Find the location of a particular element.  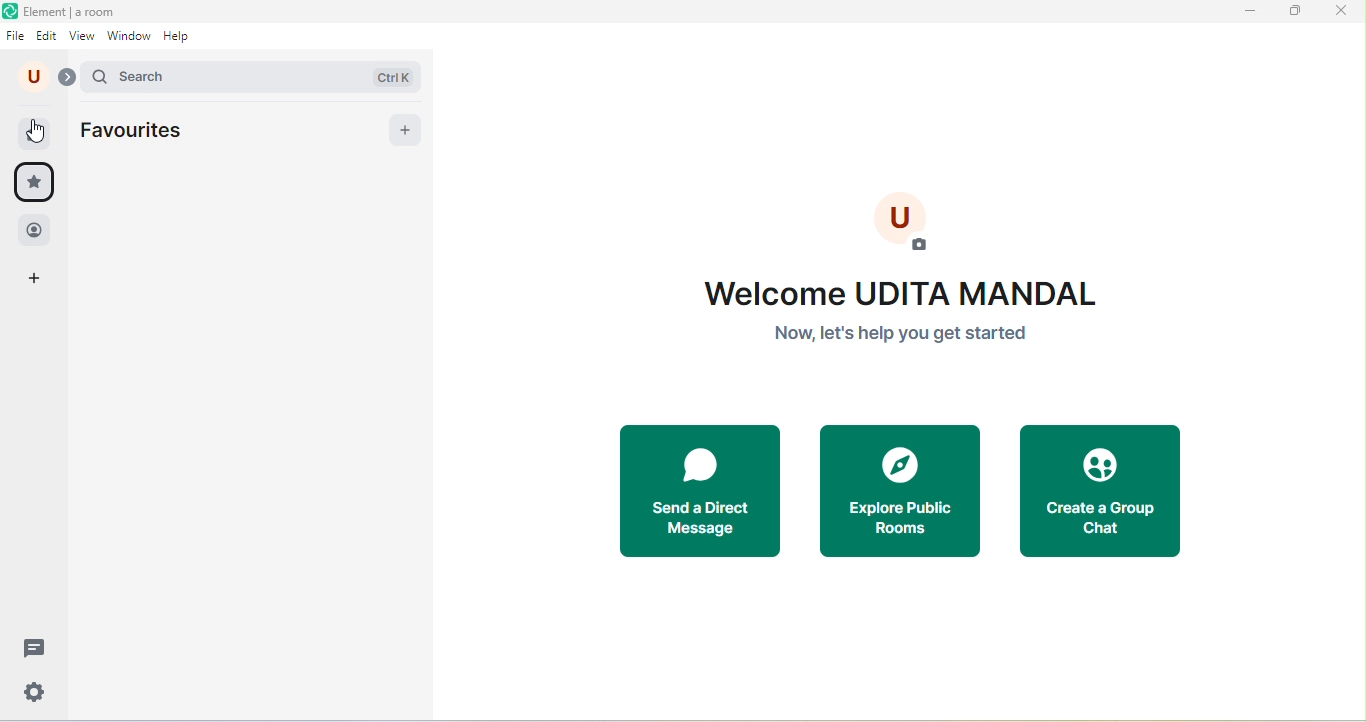

help is located at coordinates (182, 39).